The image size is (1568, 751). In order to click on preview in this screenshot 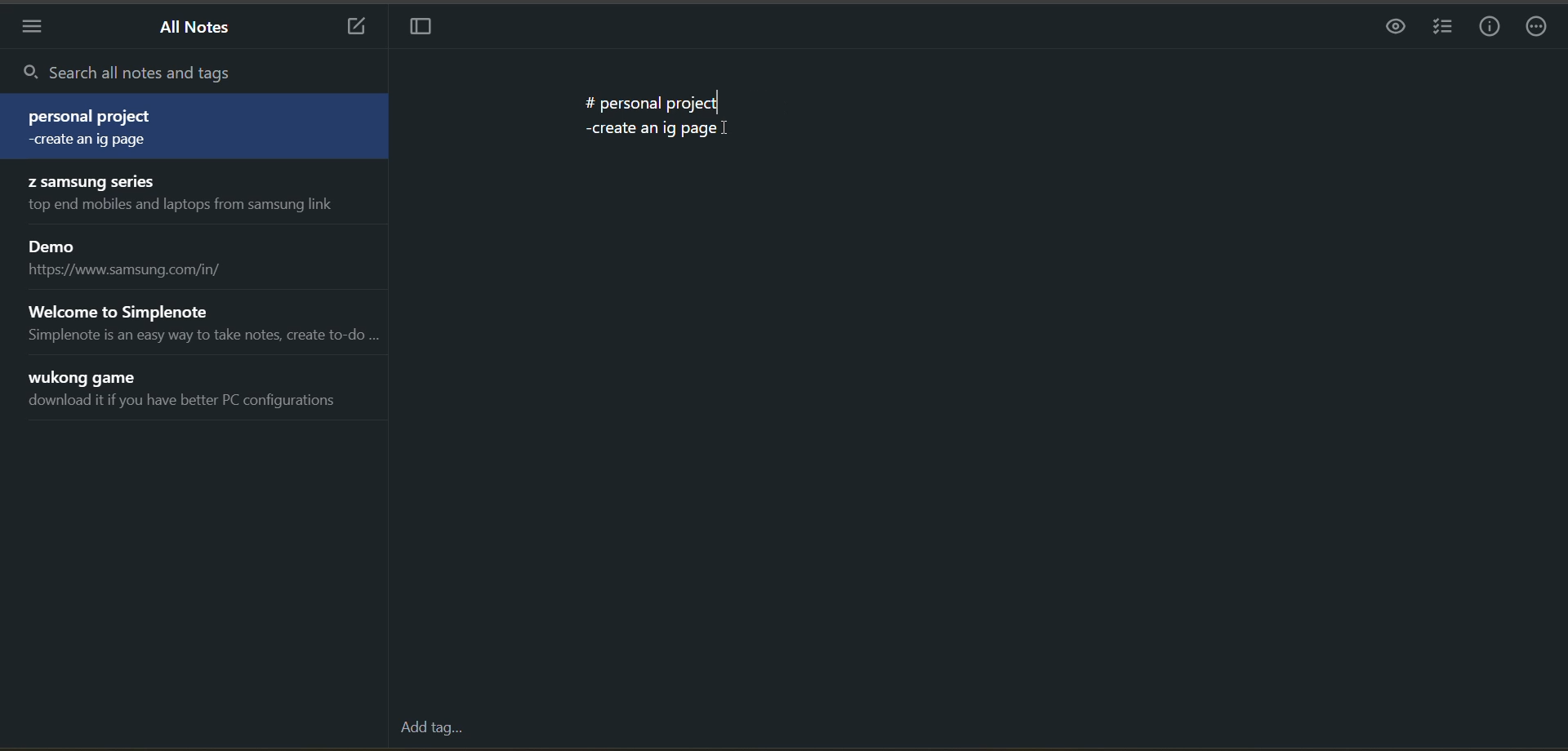, I will do `click(1394, 26)`.